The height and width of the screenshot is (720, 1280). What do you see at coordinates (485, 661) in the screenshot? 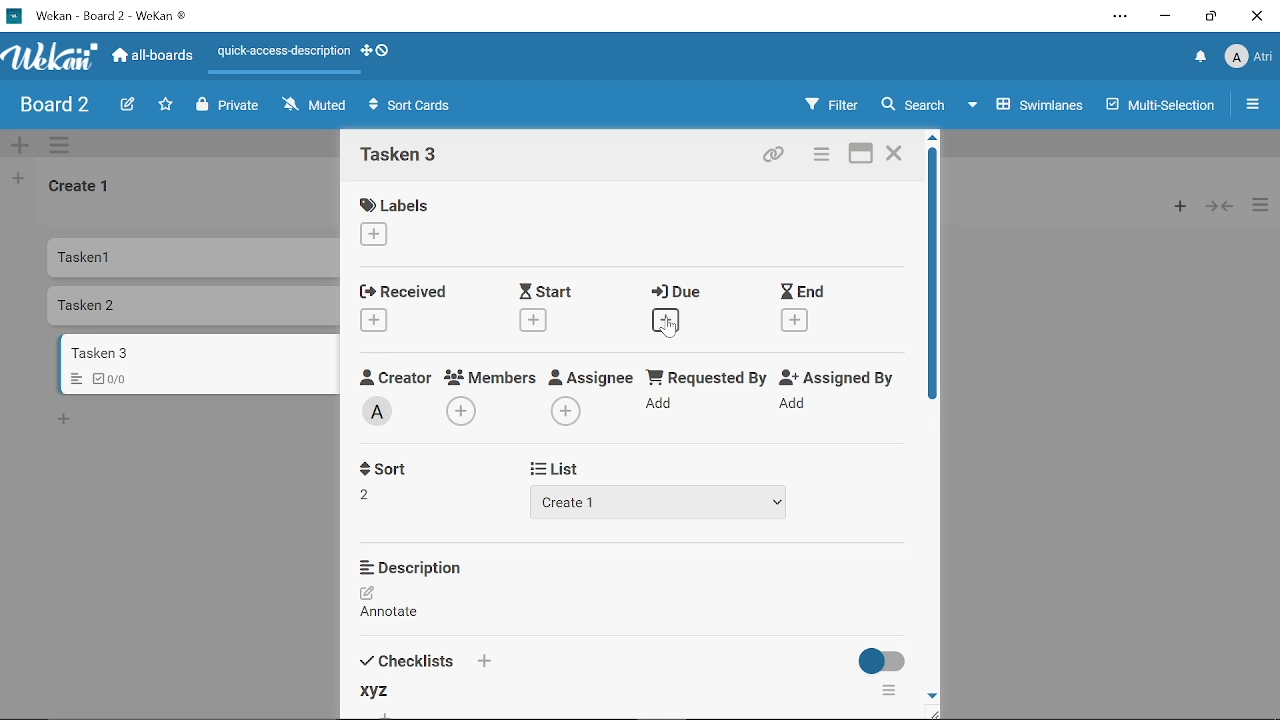
I see `Add checklist` at bounding box center [485, 661].